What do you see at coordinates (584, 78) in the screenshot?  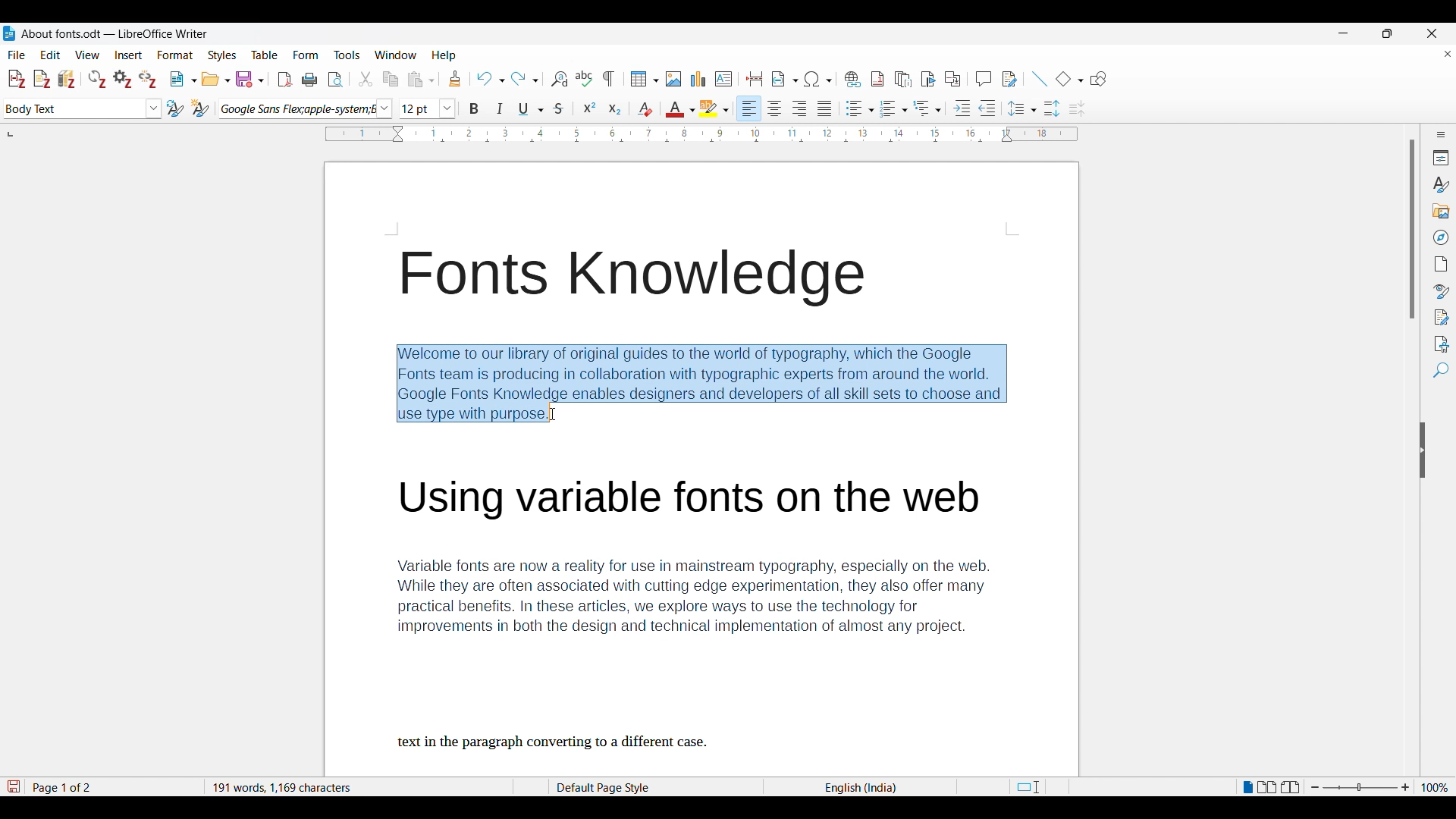 I see `Spell check` at bounding box center [584, 78].